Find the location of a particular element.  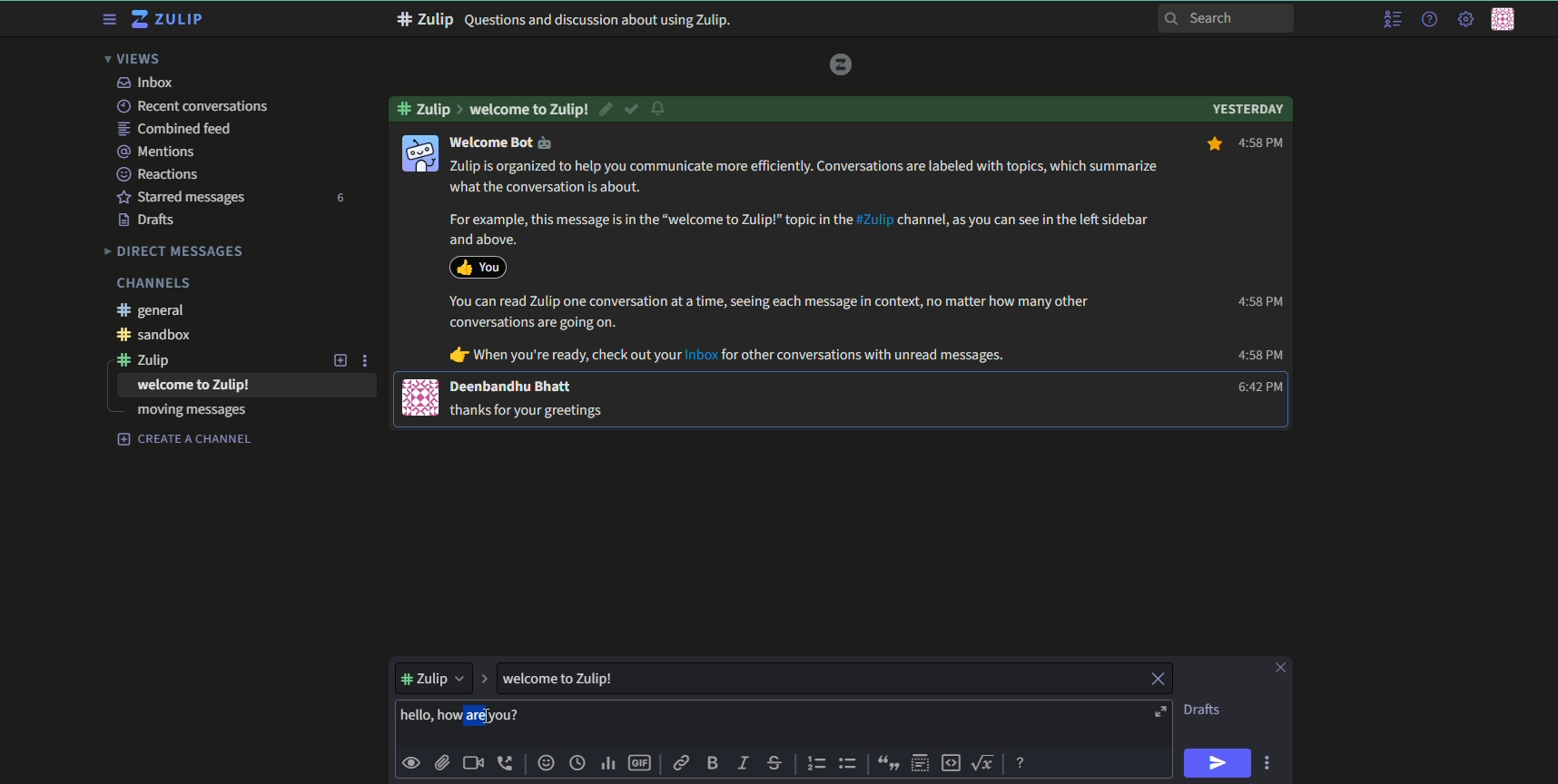

 Zulip is organized to help you communicate more efficiently. Conversations are labeled with topics, which summarize what the conversation is about. is located at coordinates (807, 177).